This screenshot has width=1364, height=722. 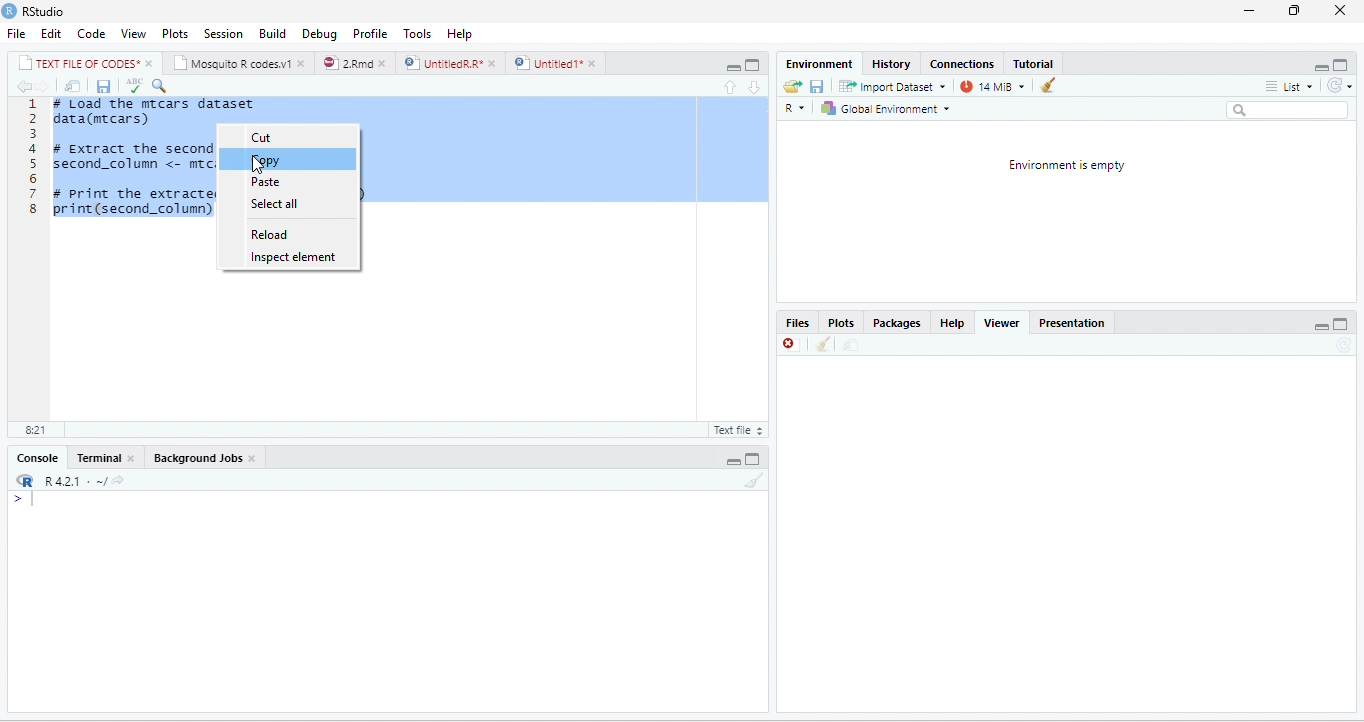 I want to click on 1, so click(x=33, y=104).